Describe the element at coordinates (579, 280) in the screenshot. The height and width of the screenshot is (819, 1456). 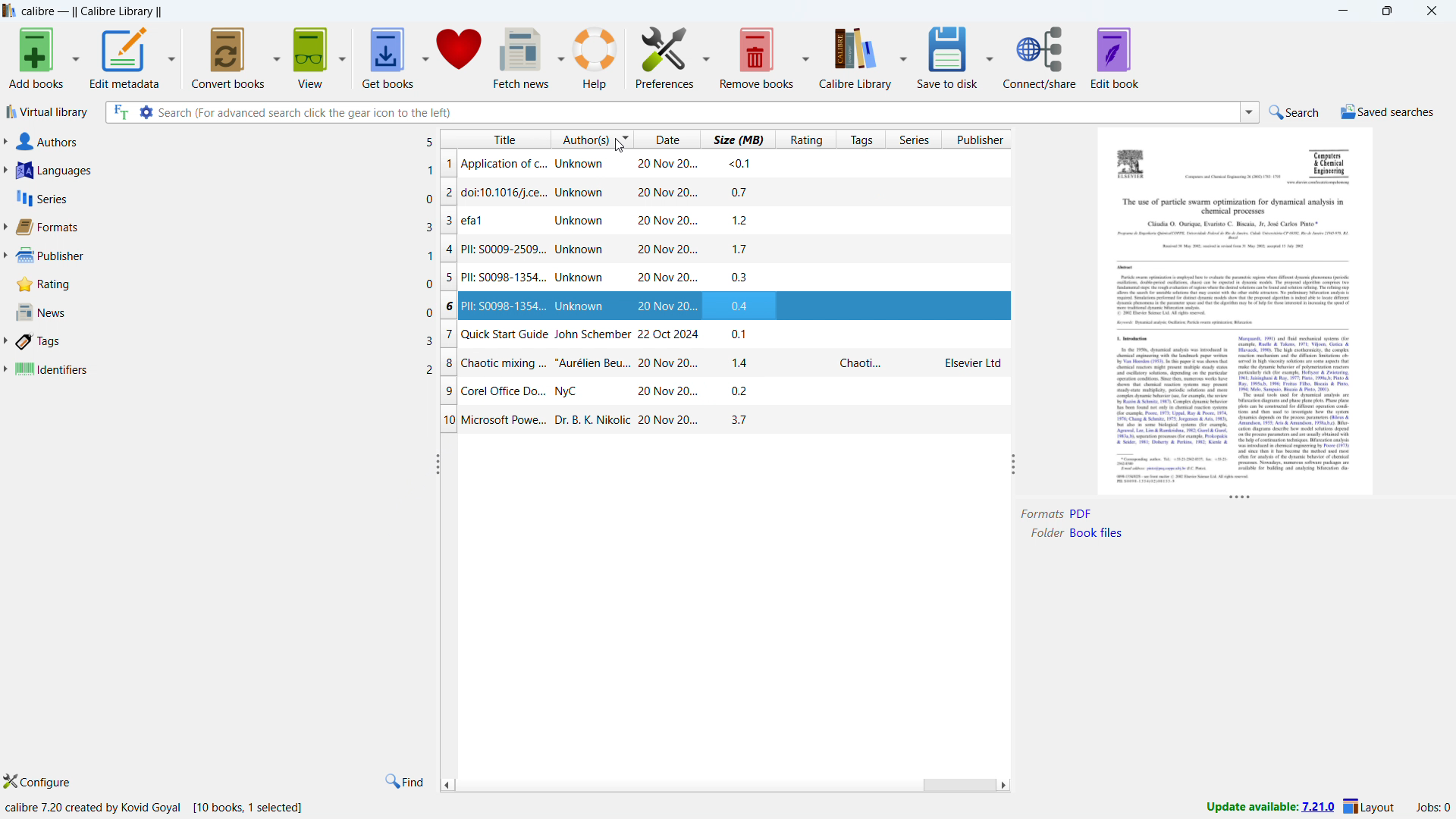
I see `Pll: S0098-1354... Unknown 20 Nov 20...` at that location.